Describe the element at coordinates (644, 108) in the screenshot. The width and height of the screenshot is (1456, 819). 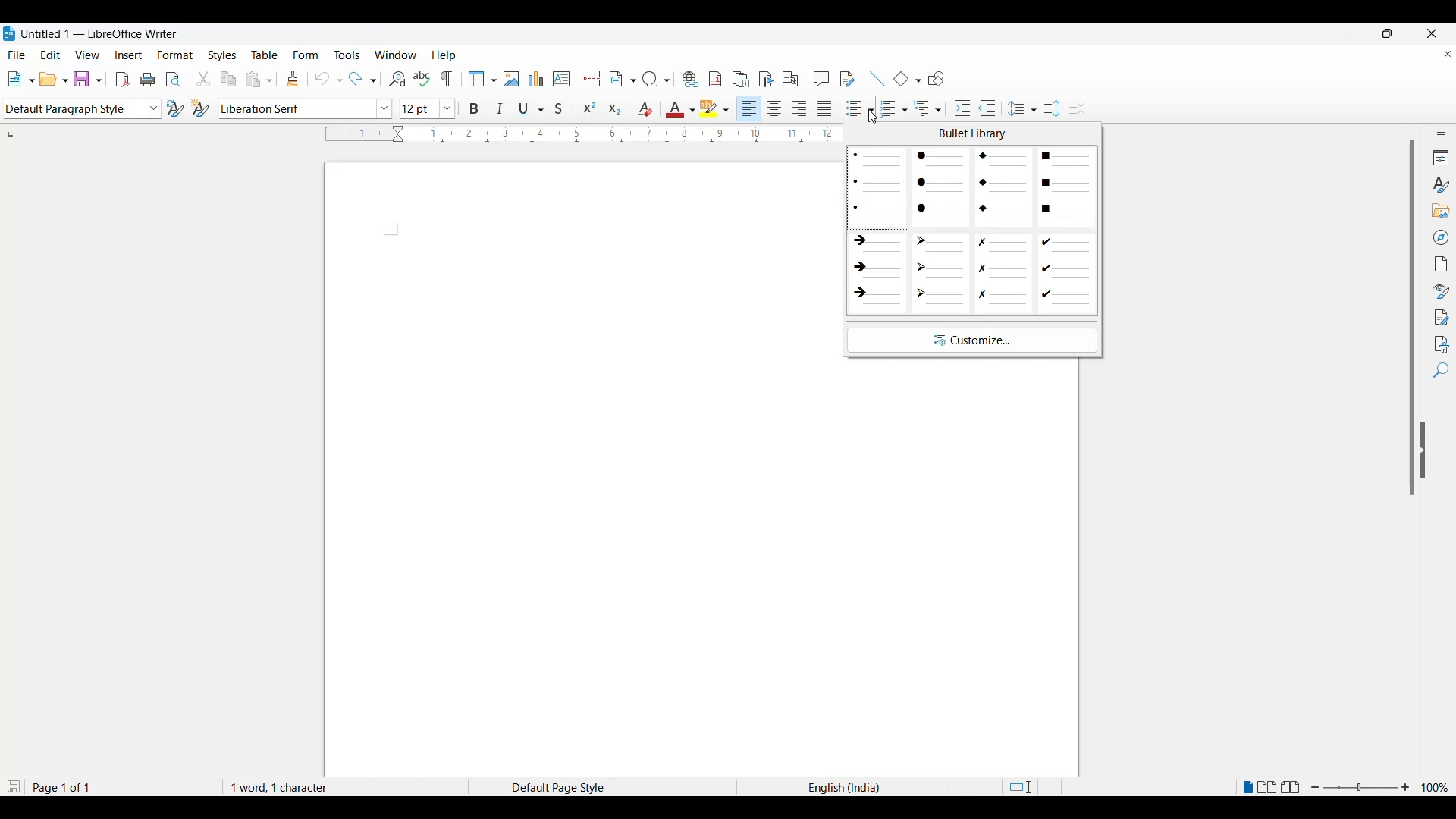
I see `clear direct formatting` at that location.